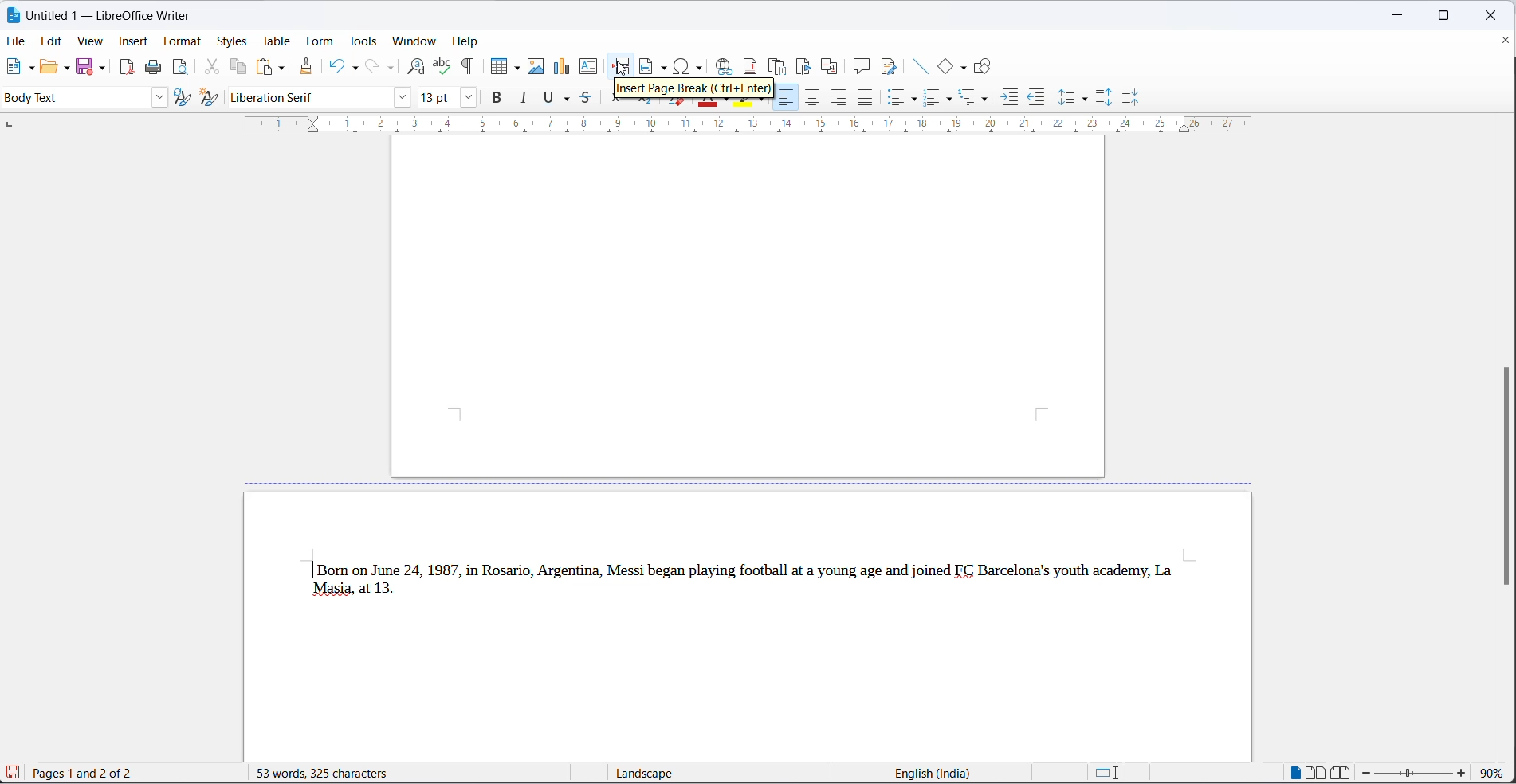 The image size is (1516, 784). What do you see at coordinates (1365, 773) in the screenshot?
I see `zoom decrease` at bounding box center [1365, 773].